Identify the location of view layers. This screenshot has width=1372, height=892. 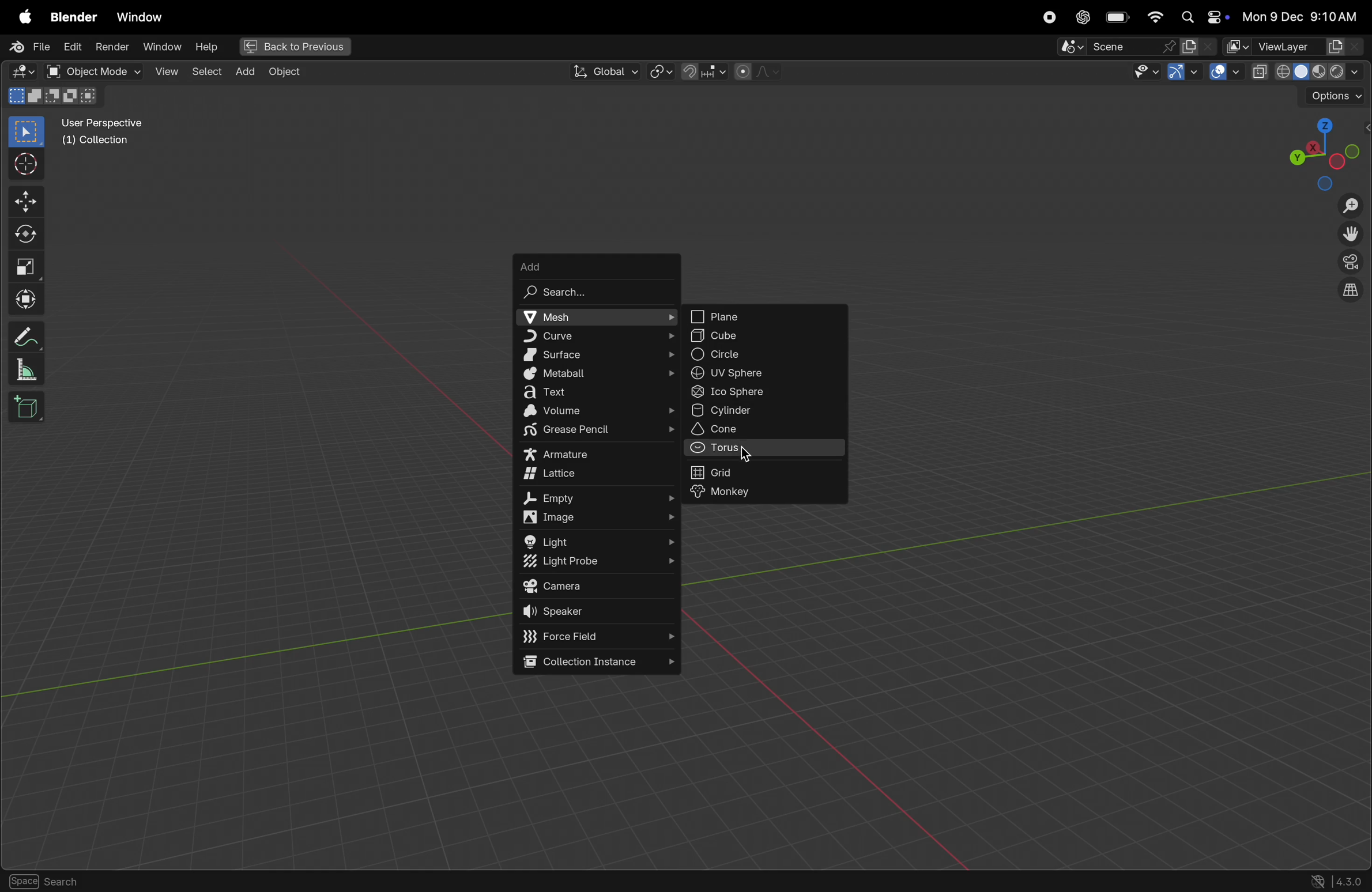
(1310, 47).